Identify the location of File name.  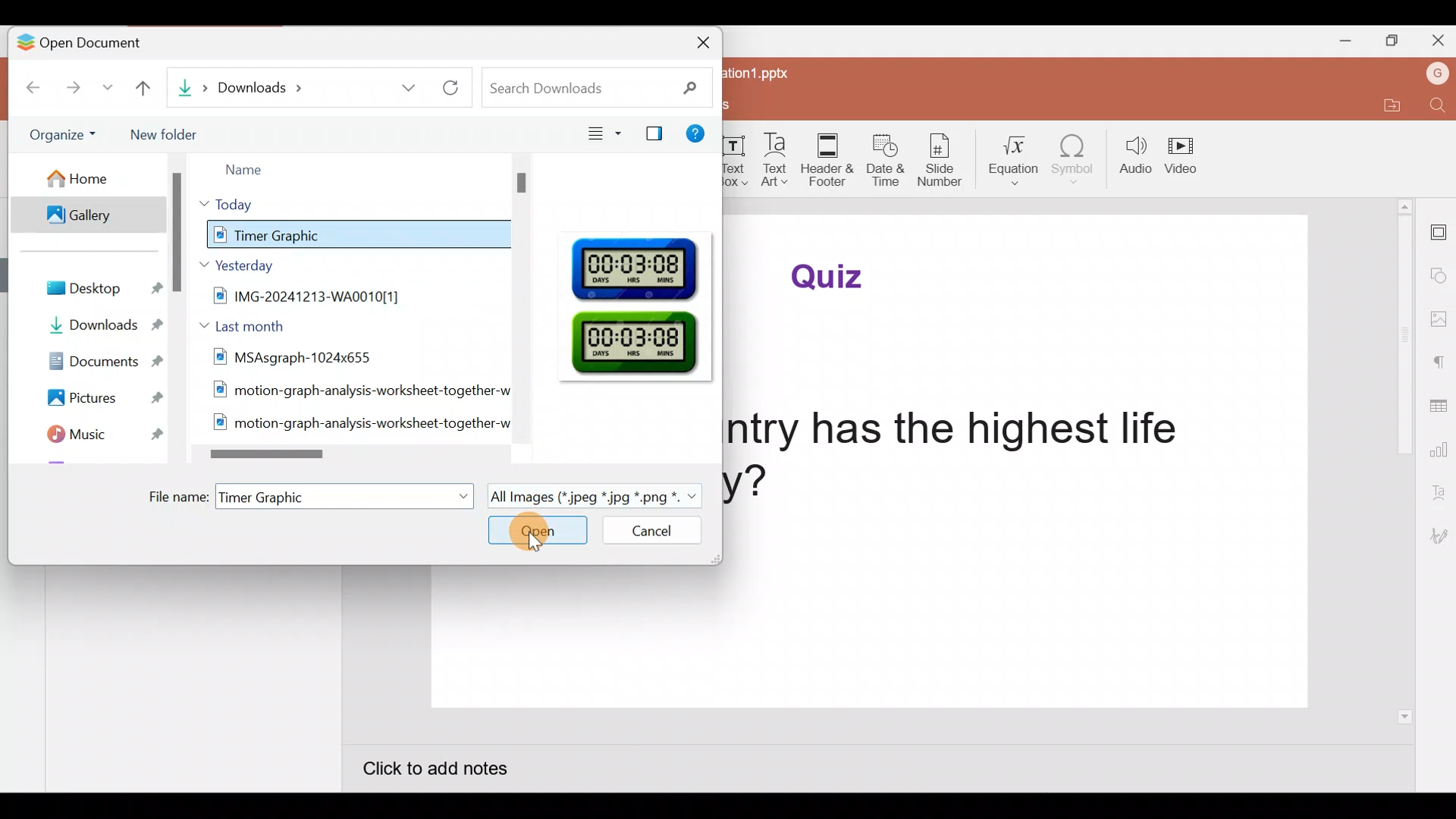
(309, 495).